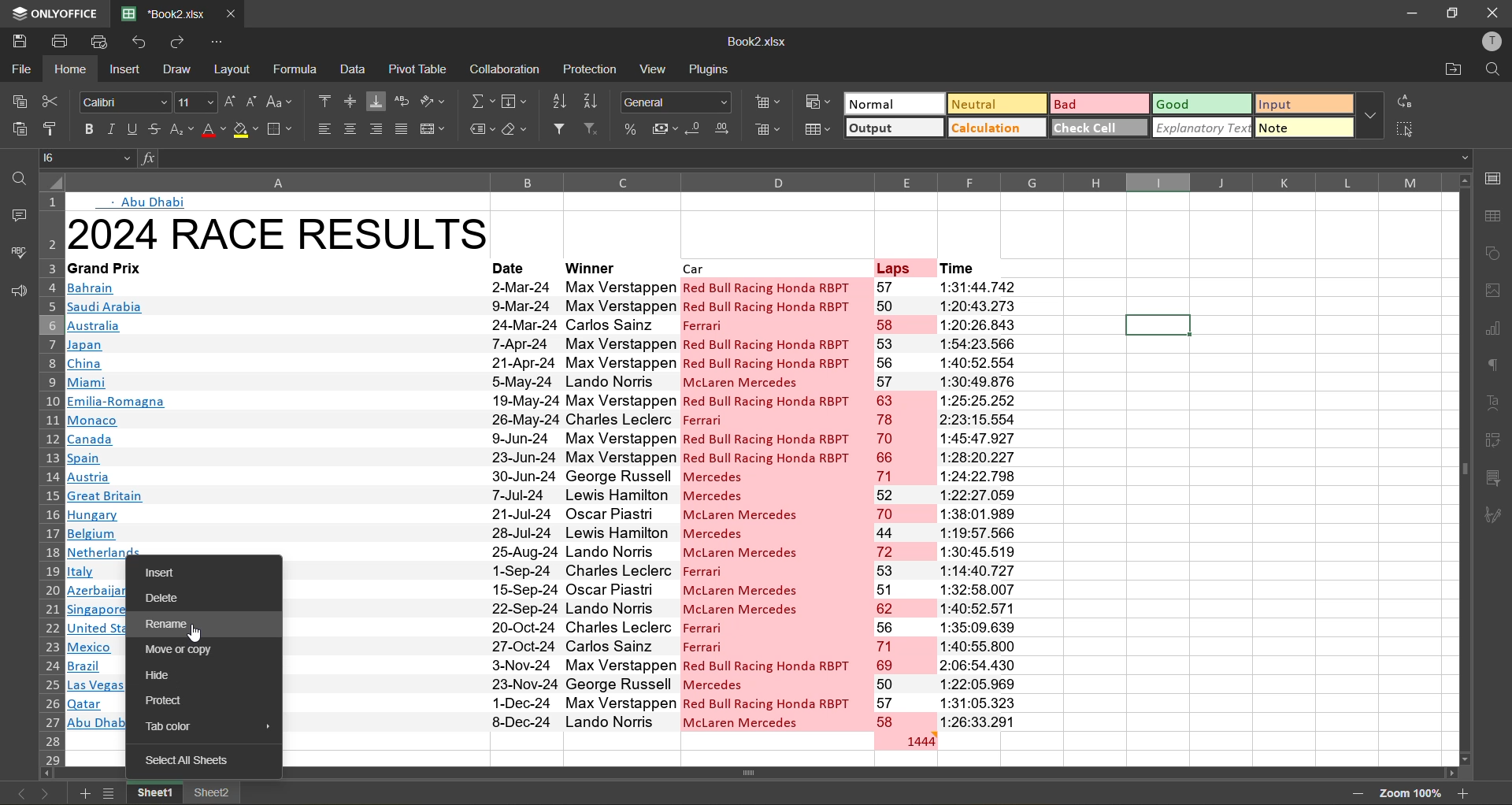  I want to click on column names, so click(757, 179).